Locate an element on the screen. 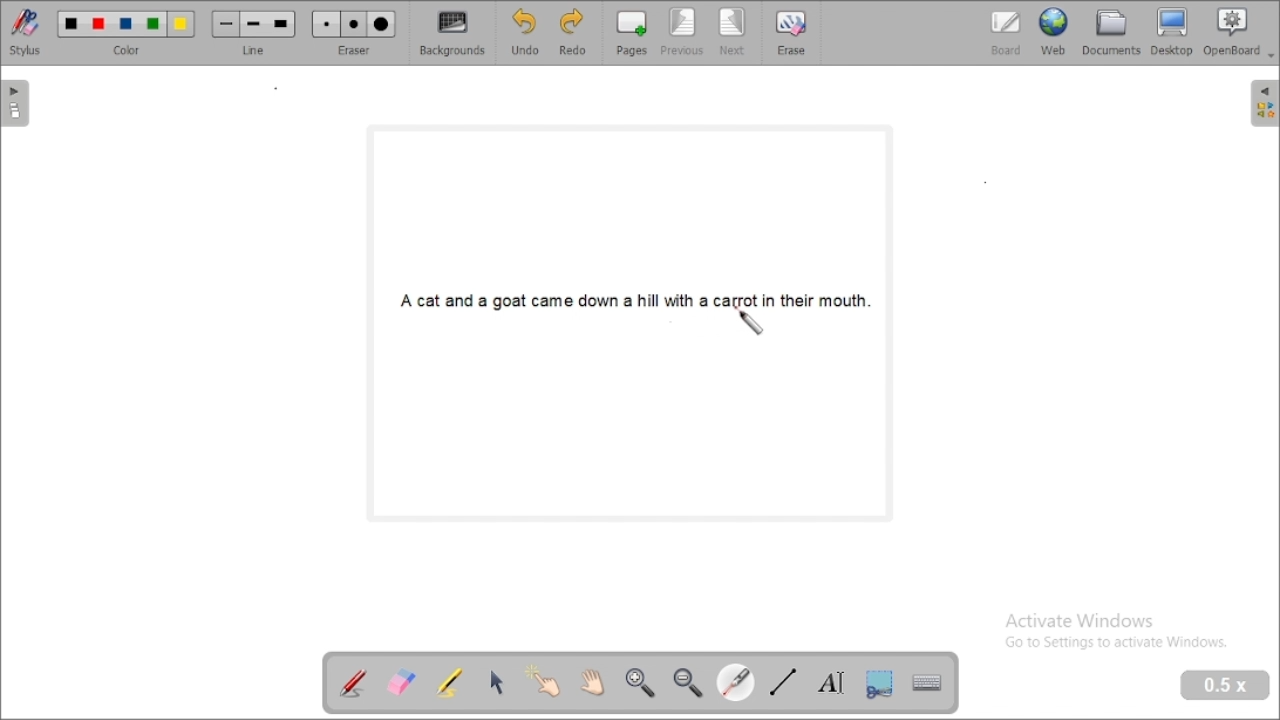  line is located at coordinates (253, 34).